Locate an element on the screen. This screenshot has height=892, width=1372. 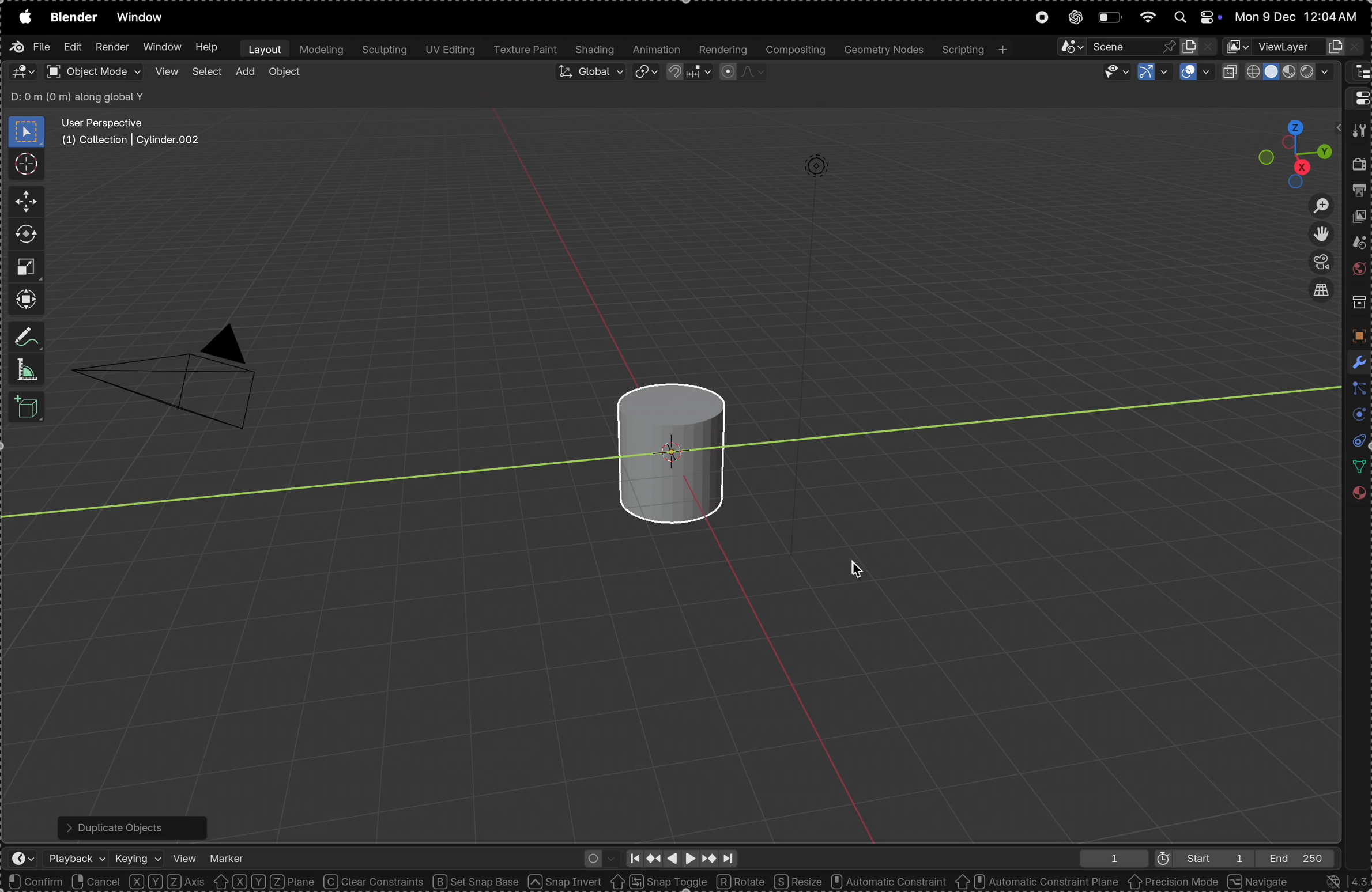
Pan view is located at coordinates (138, 882).